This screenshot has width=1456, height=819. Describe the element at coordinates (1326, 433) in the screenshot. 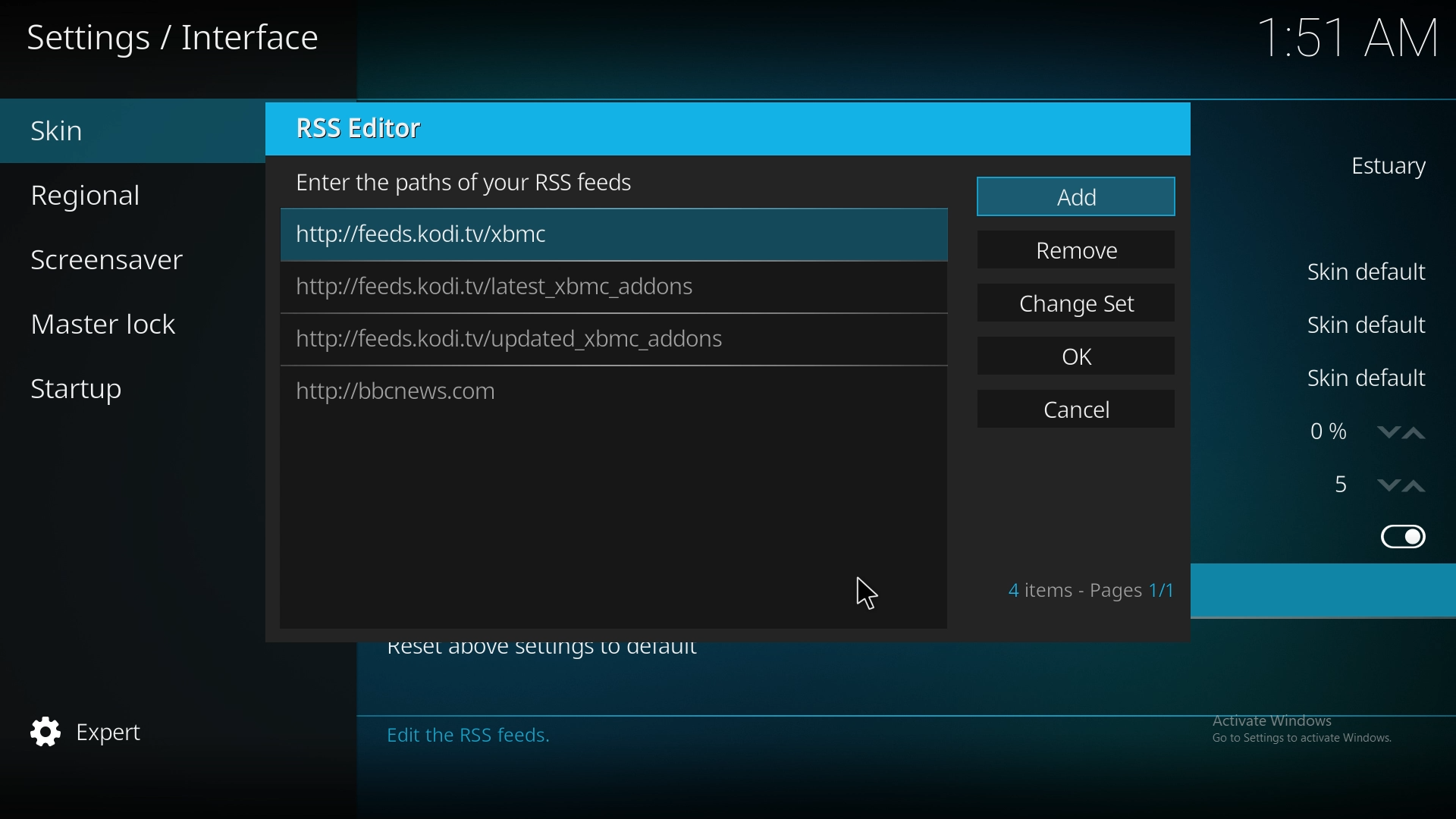

I see `zoom` at that location.